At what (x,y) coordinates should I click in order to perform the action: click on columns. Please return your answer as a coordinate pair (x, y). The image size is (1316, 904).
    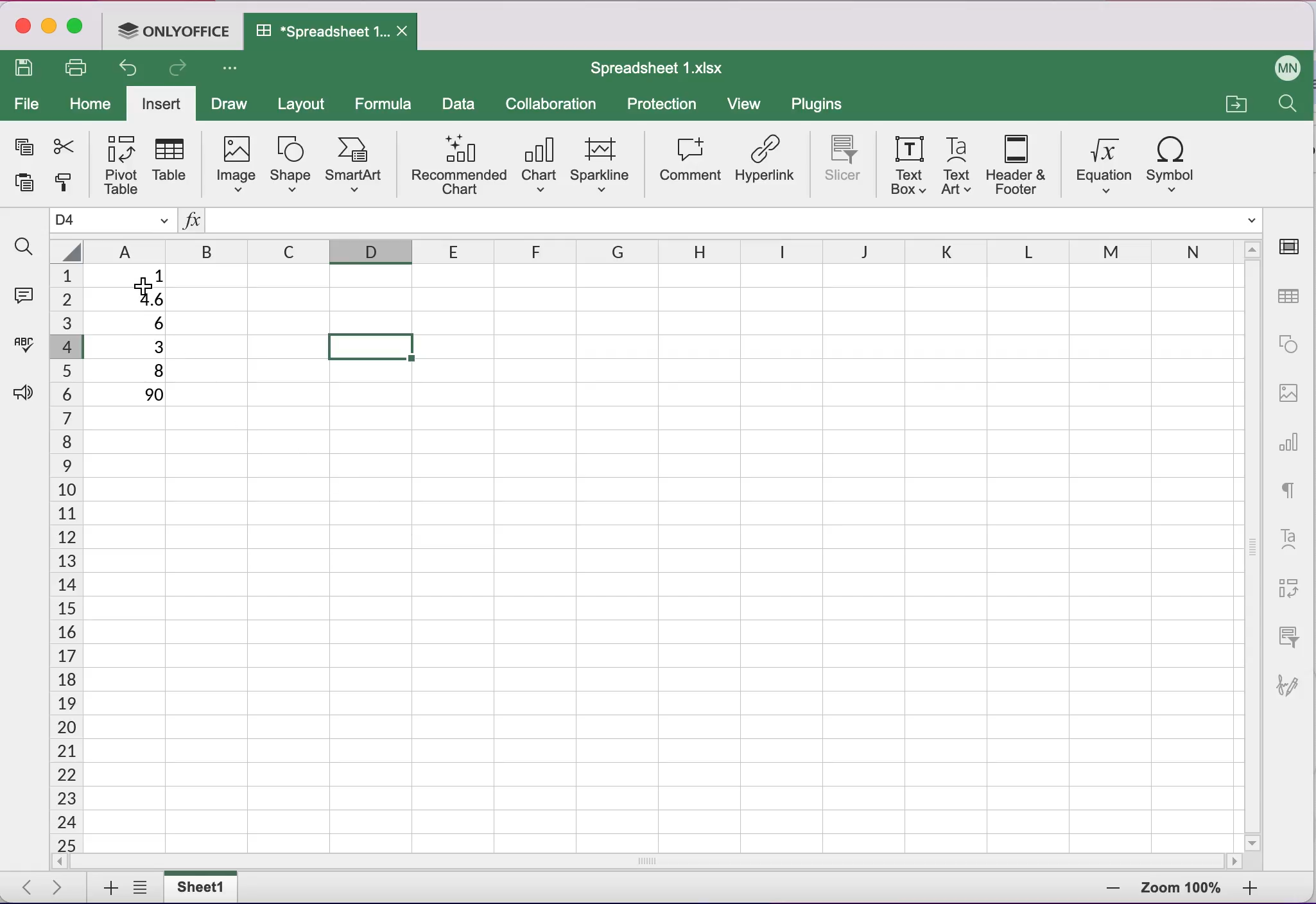
    Looking at the image, I should click on (645, 248).